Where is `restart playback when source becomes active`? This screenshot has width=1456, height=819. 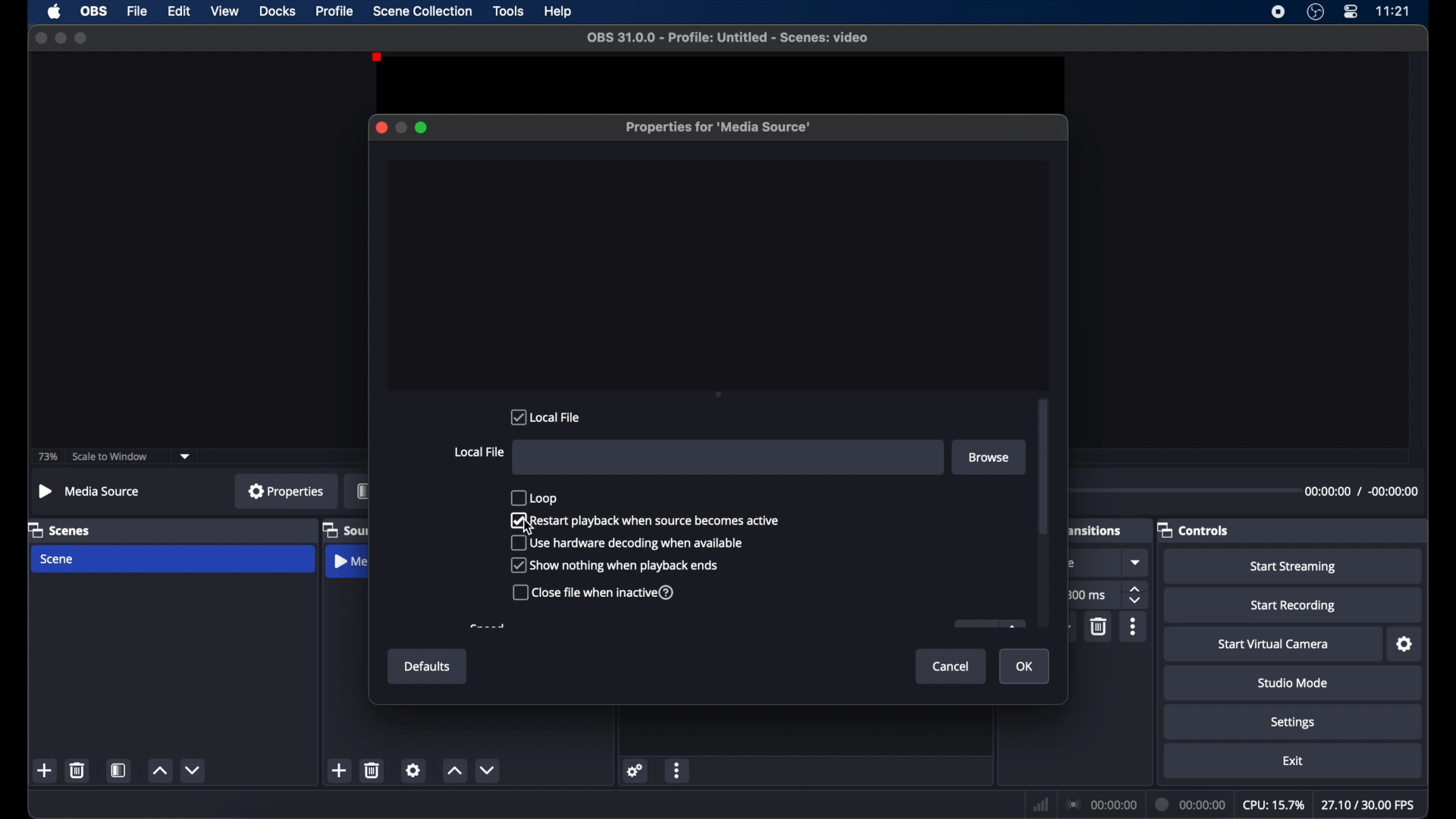 restart playback when source becomes active is located at coordinates (643, 520).